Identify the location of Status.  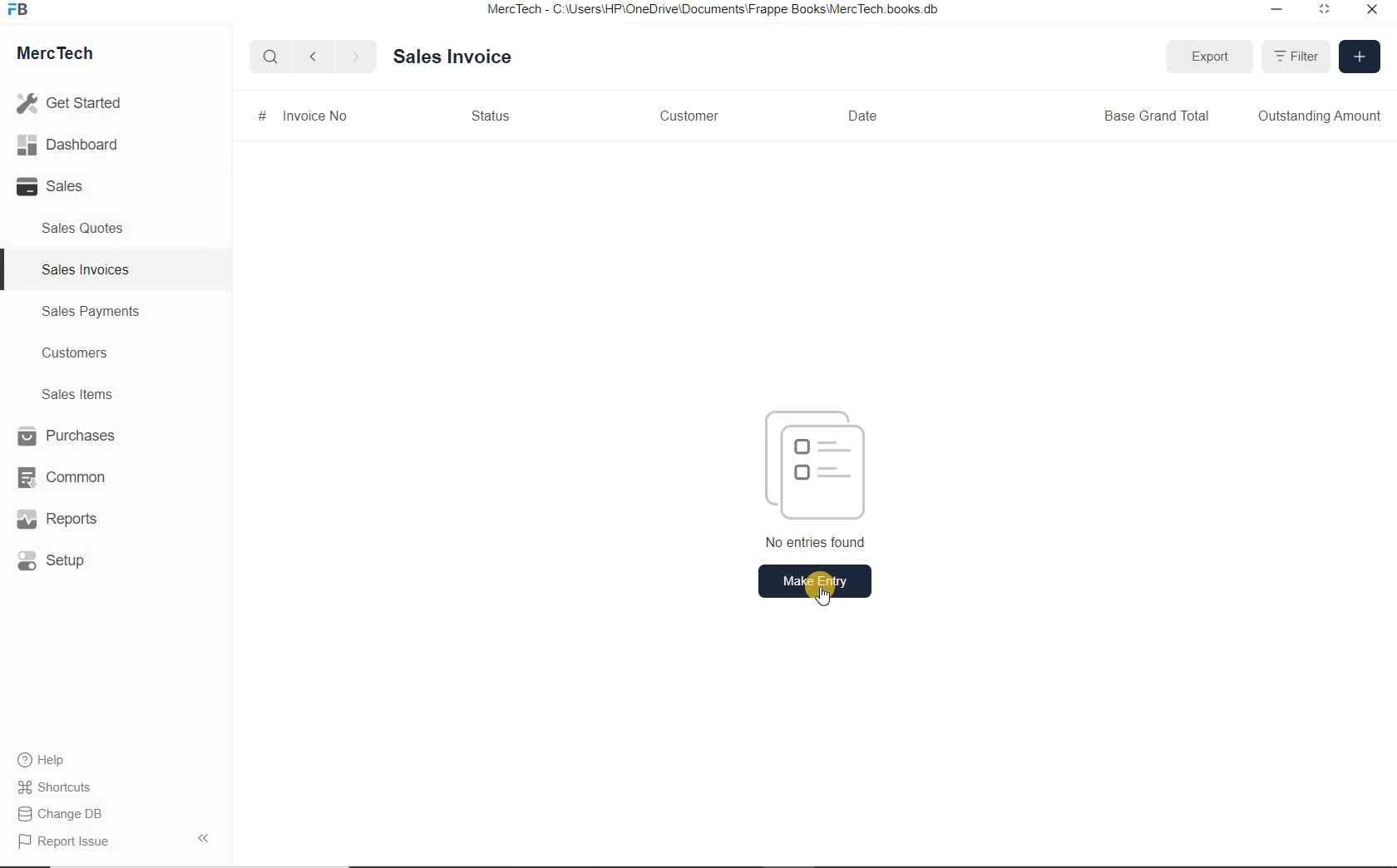
(492, 116).